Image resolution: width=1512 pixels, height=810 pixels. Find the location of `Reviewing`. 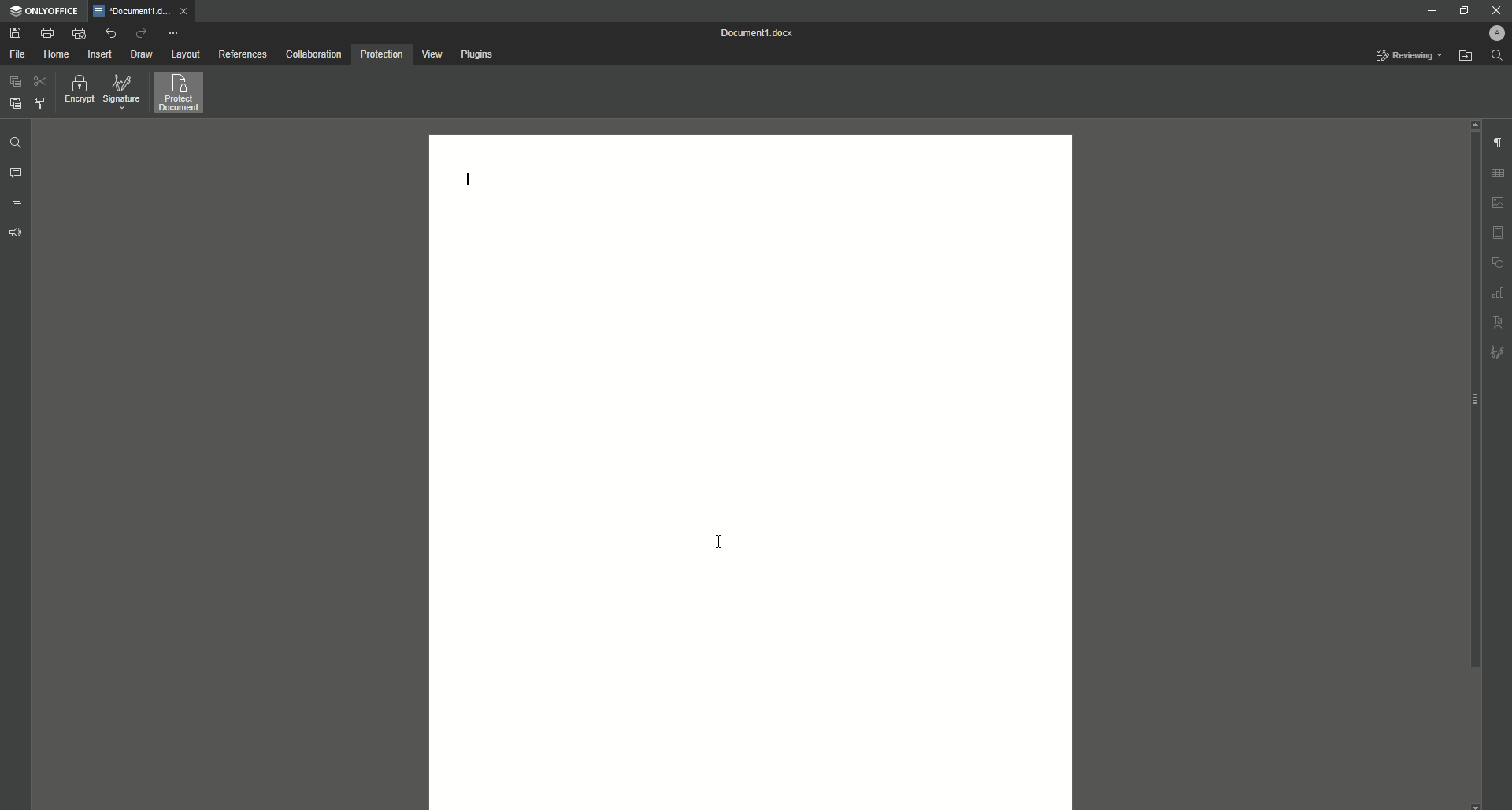

Reviewing is located at coordinates (1409, 56).